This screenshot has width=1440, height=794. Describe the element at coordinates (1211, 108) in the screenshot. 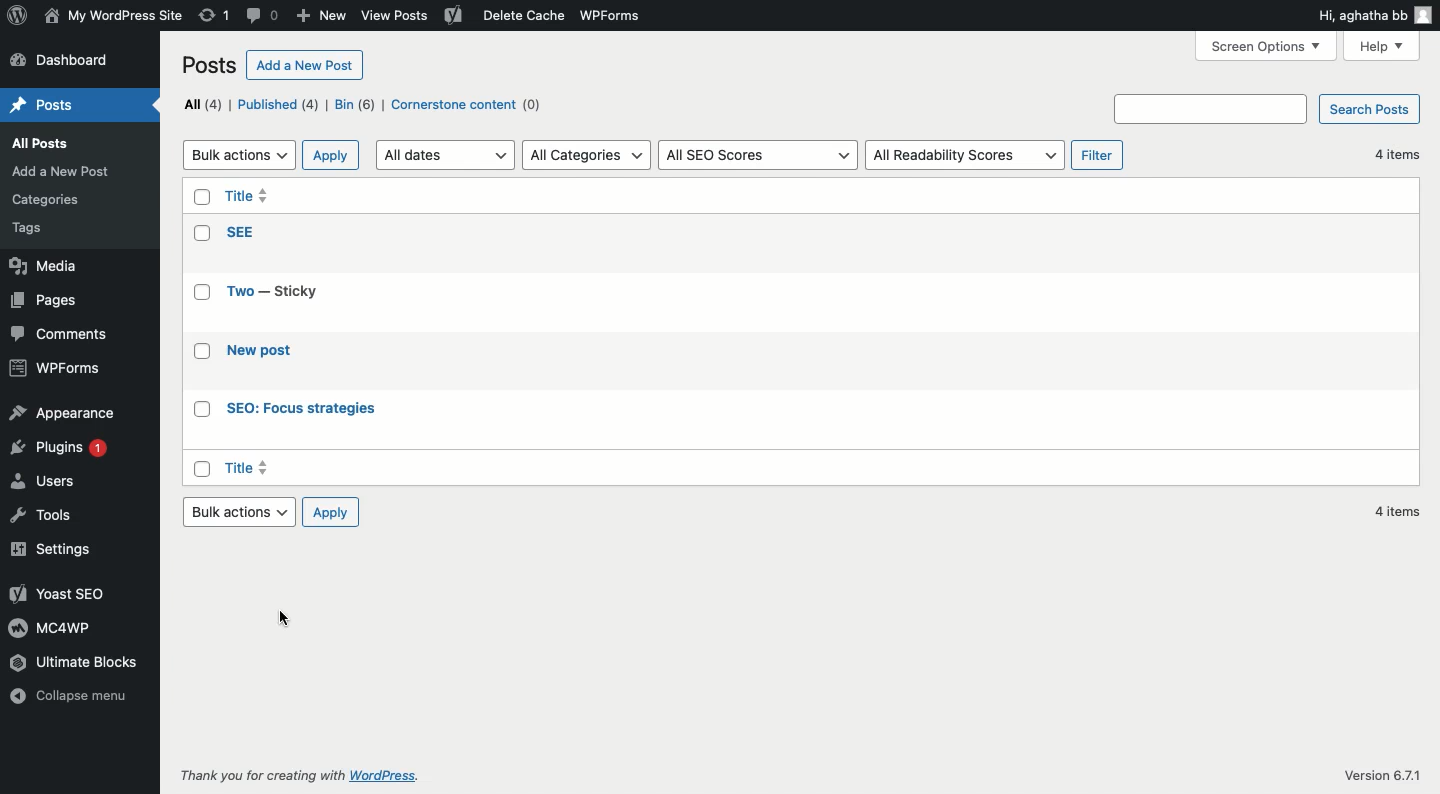

I see `search post input field` at that location.